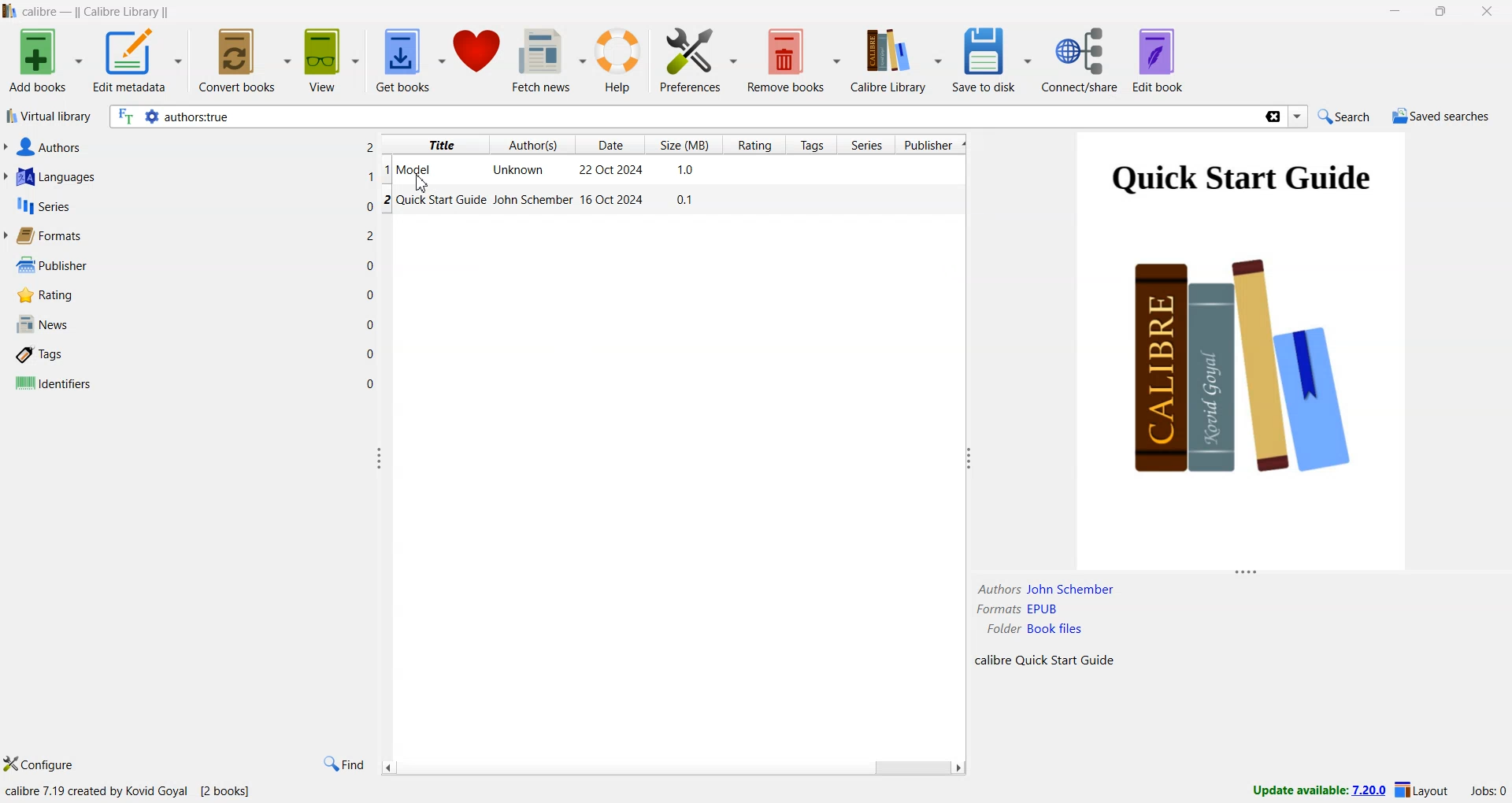 This screenshot has height=803, width=1512. I want to click on connect/share, so click(1083, 60).